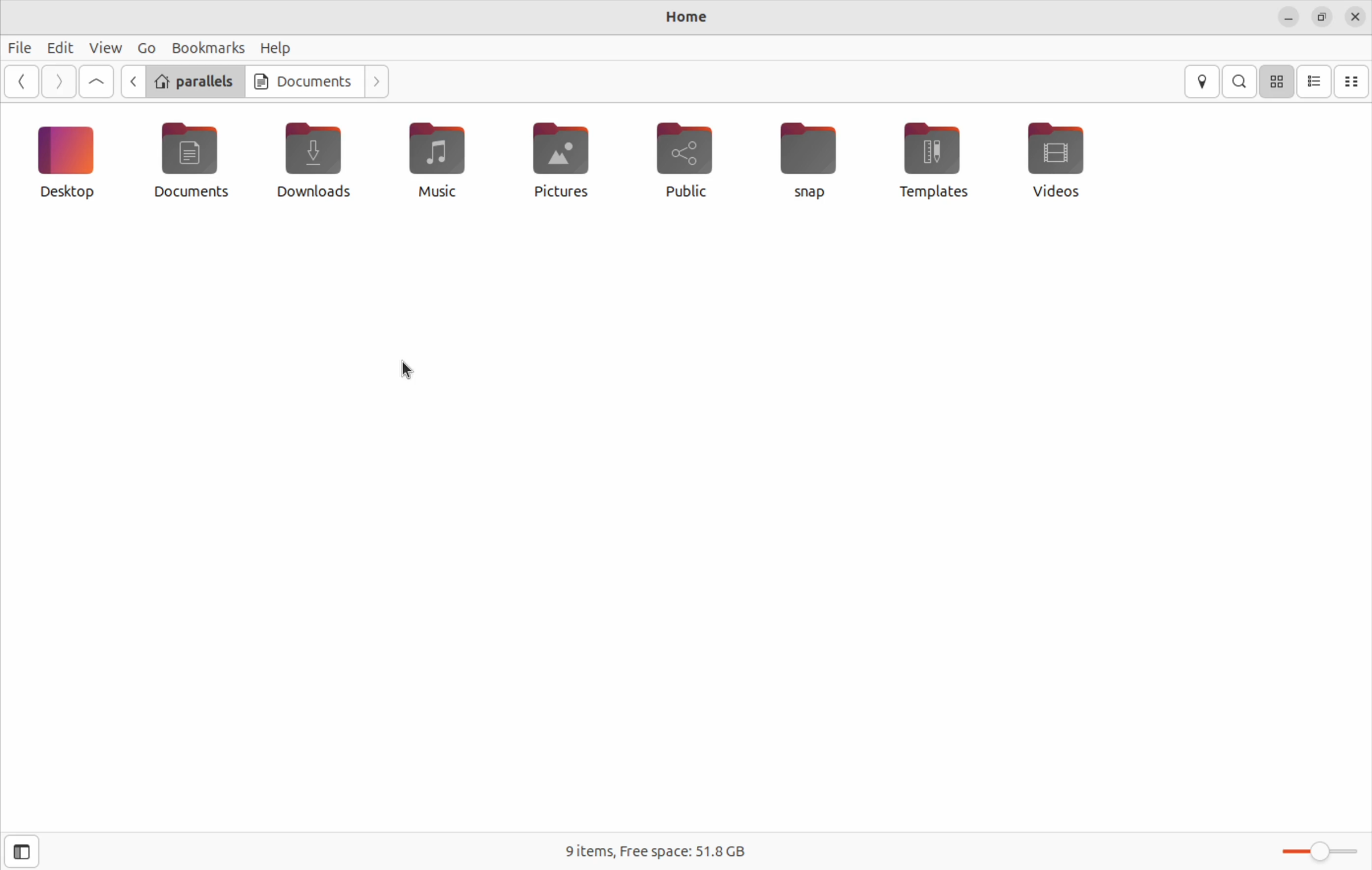 The width and height of the screenshot is (1372, 870). I want to click on parallels, so click(194, 80).